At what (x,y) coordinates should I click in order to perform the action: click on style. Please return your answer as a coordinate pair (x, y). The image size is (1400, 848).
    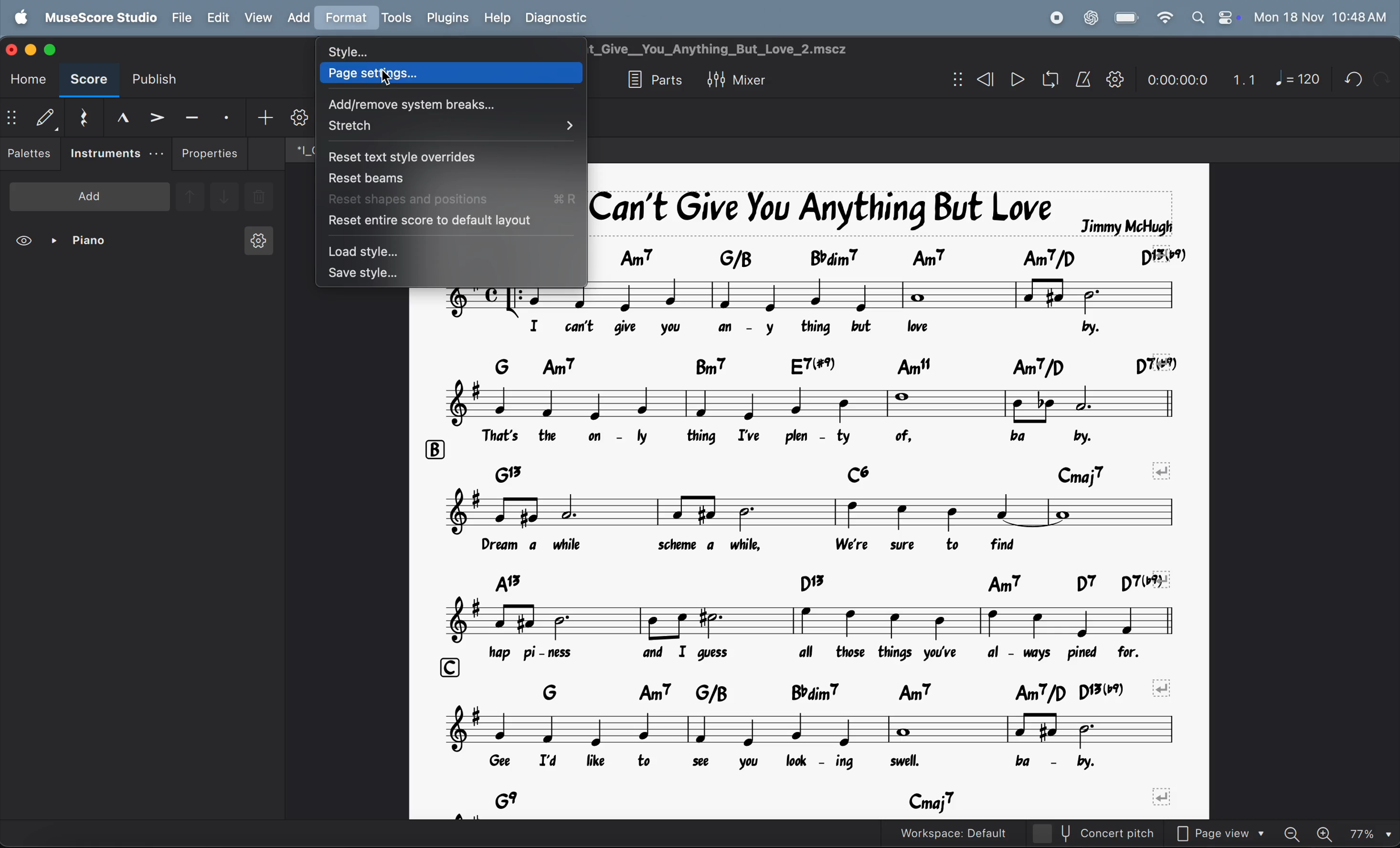
    Looking at the image, I should click on (447, 48).